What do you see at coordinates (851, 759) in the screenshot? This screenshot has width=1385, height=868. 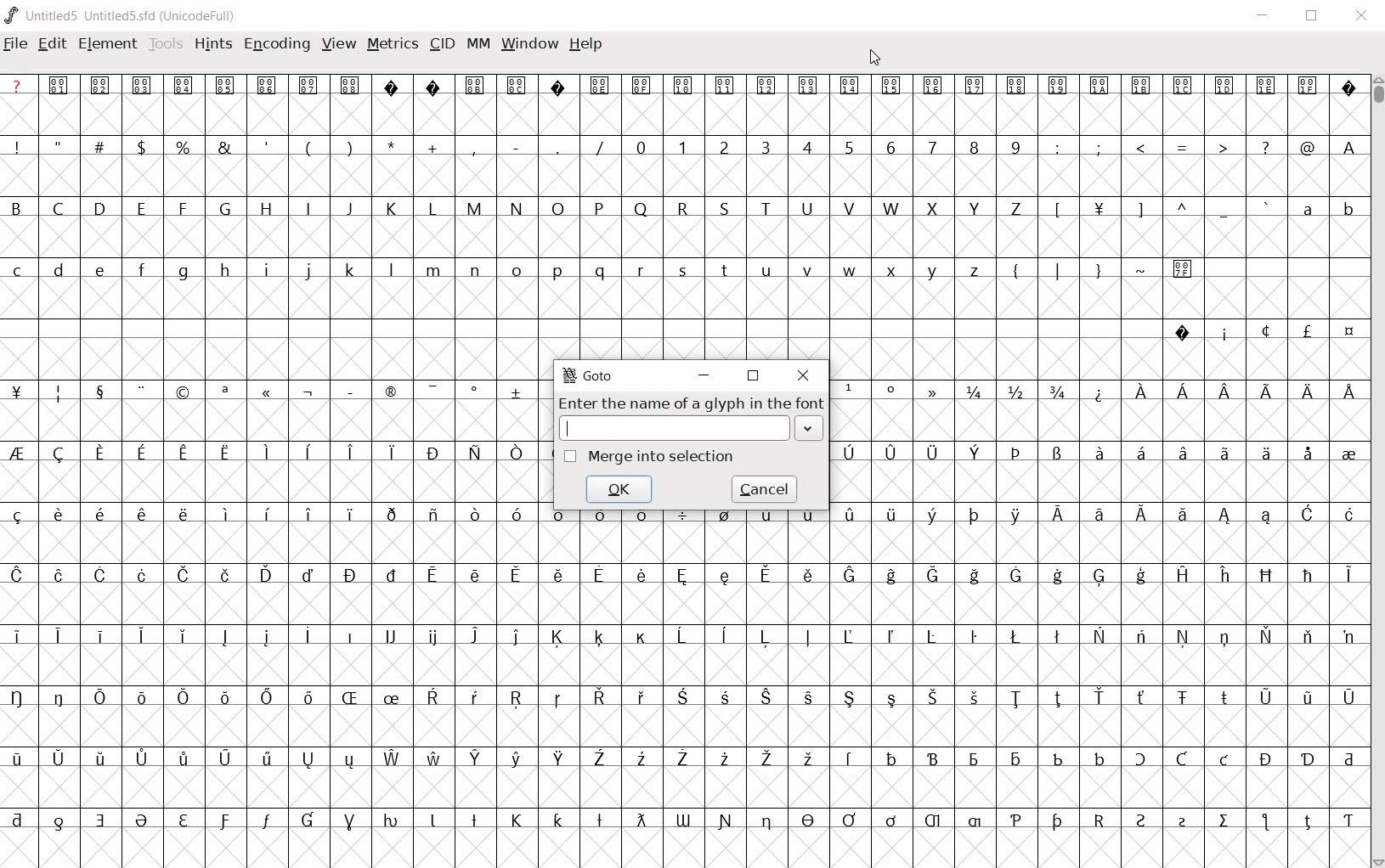 I see `Symbol` at bounding box center [851, 759].